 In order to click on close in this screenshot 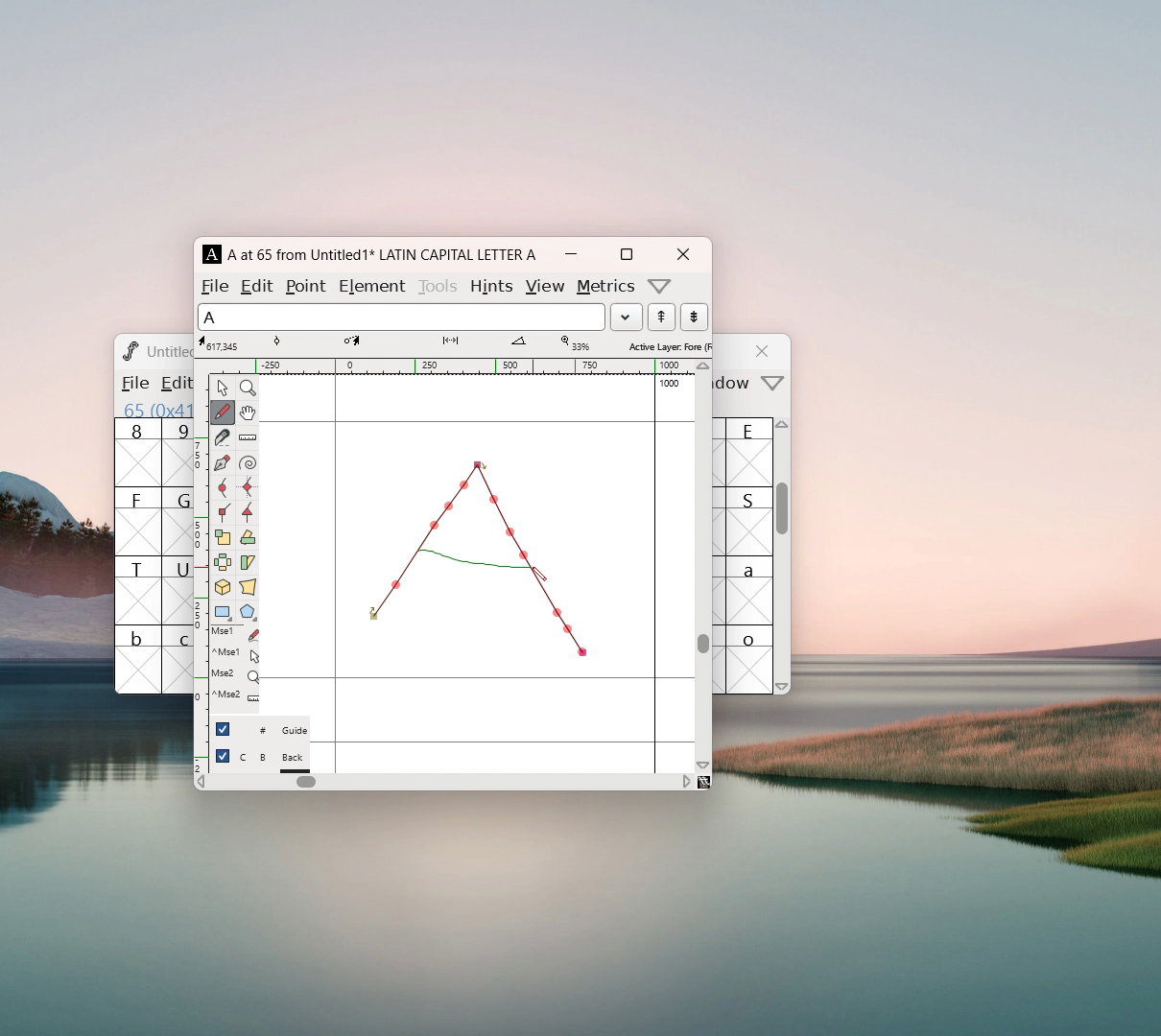, I will do `click(765, 351)`.